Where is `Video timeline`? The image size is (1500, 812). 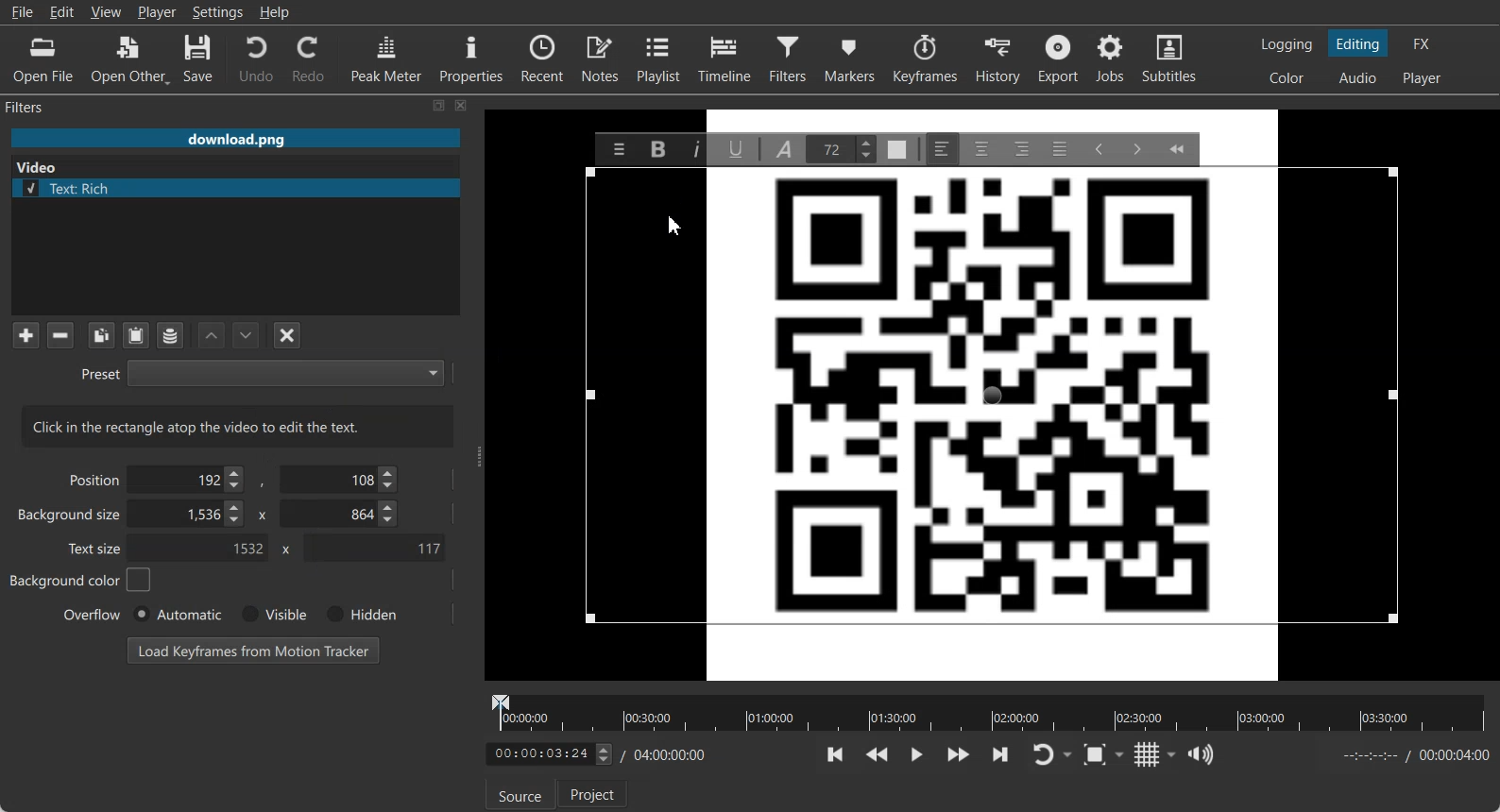 Video timeline is located at coordinates (988, 711).